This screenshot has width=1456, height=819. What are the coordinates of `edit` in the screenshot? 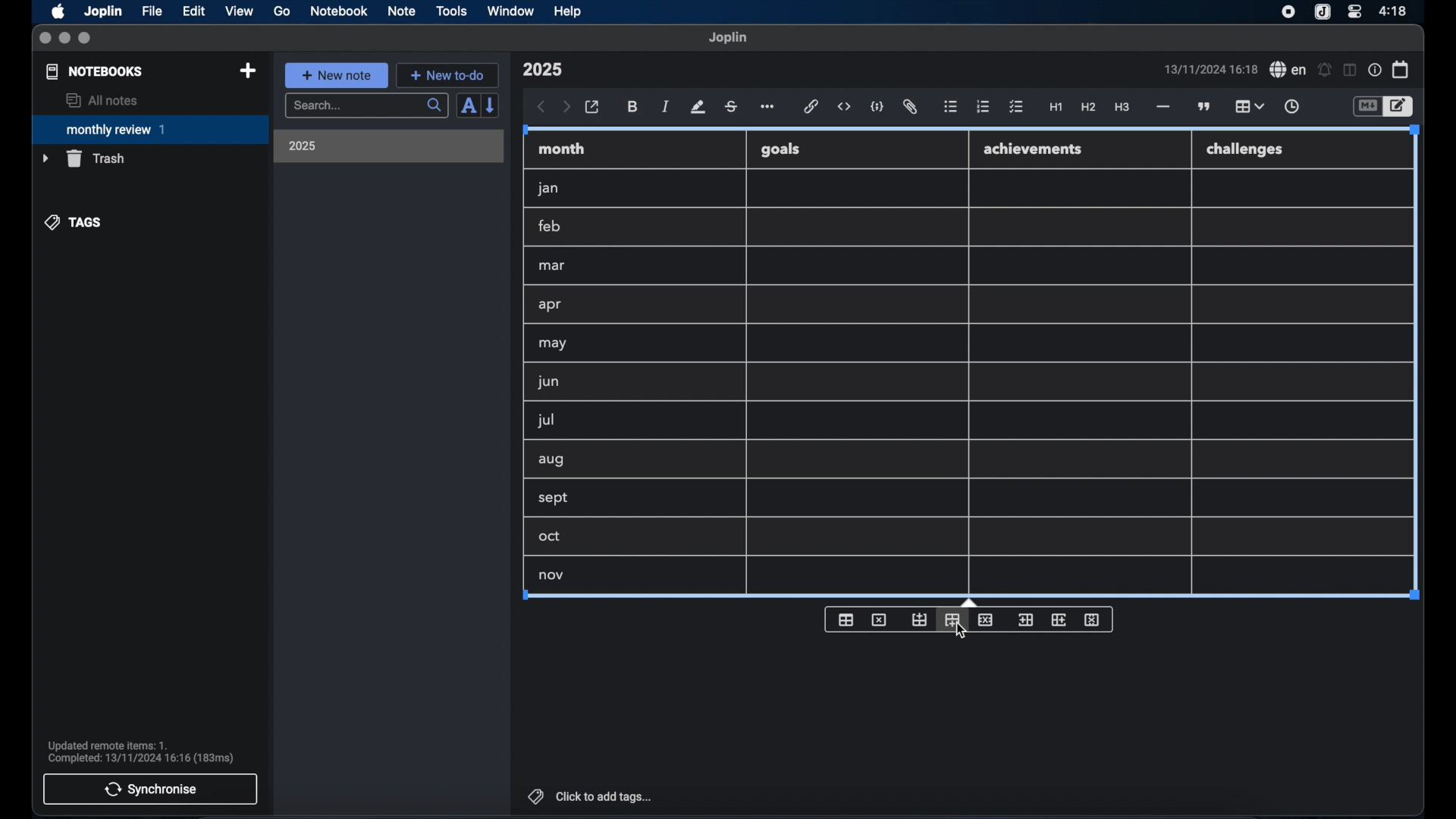 It's located at (195, 11).